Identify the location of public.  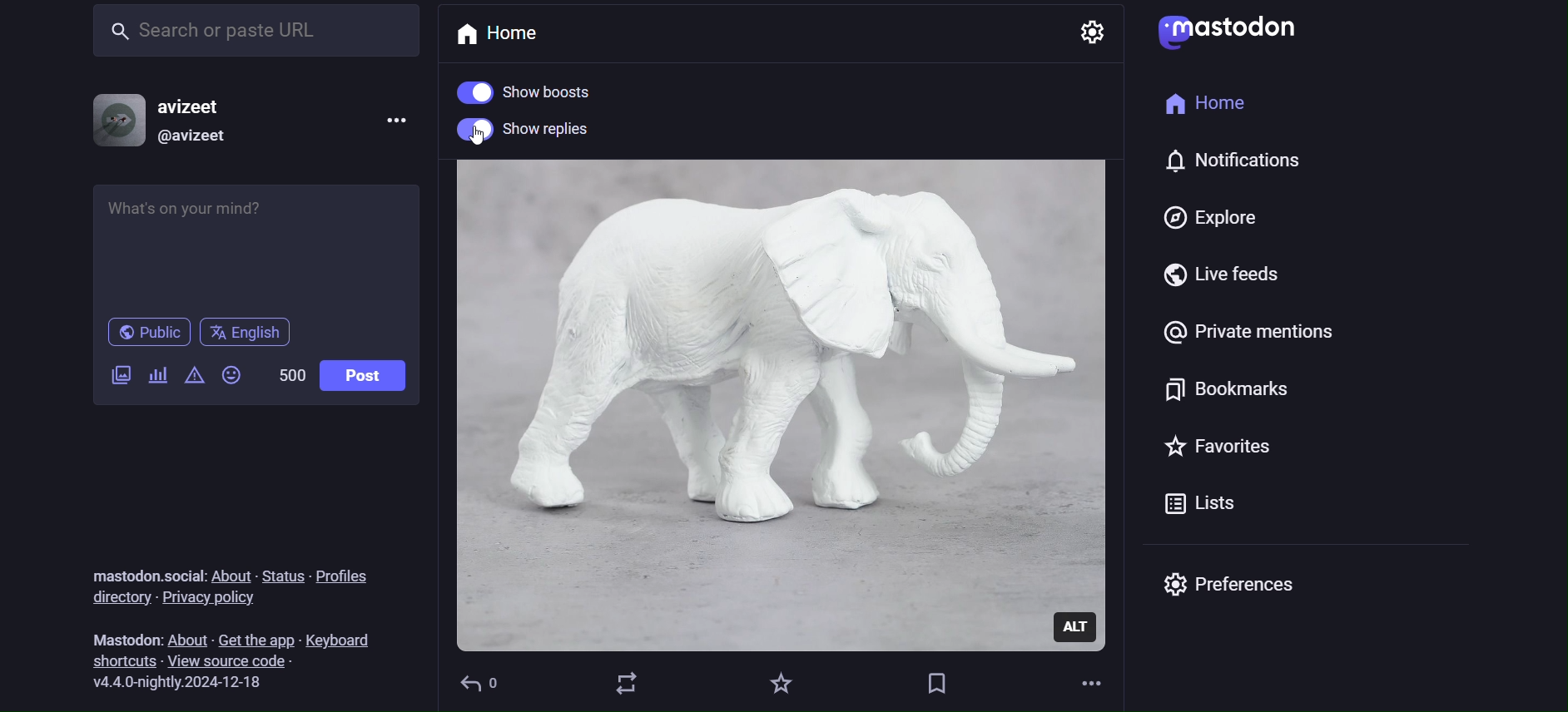
(146, 334).